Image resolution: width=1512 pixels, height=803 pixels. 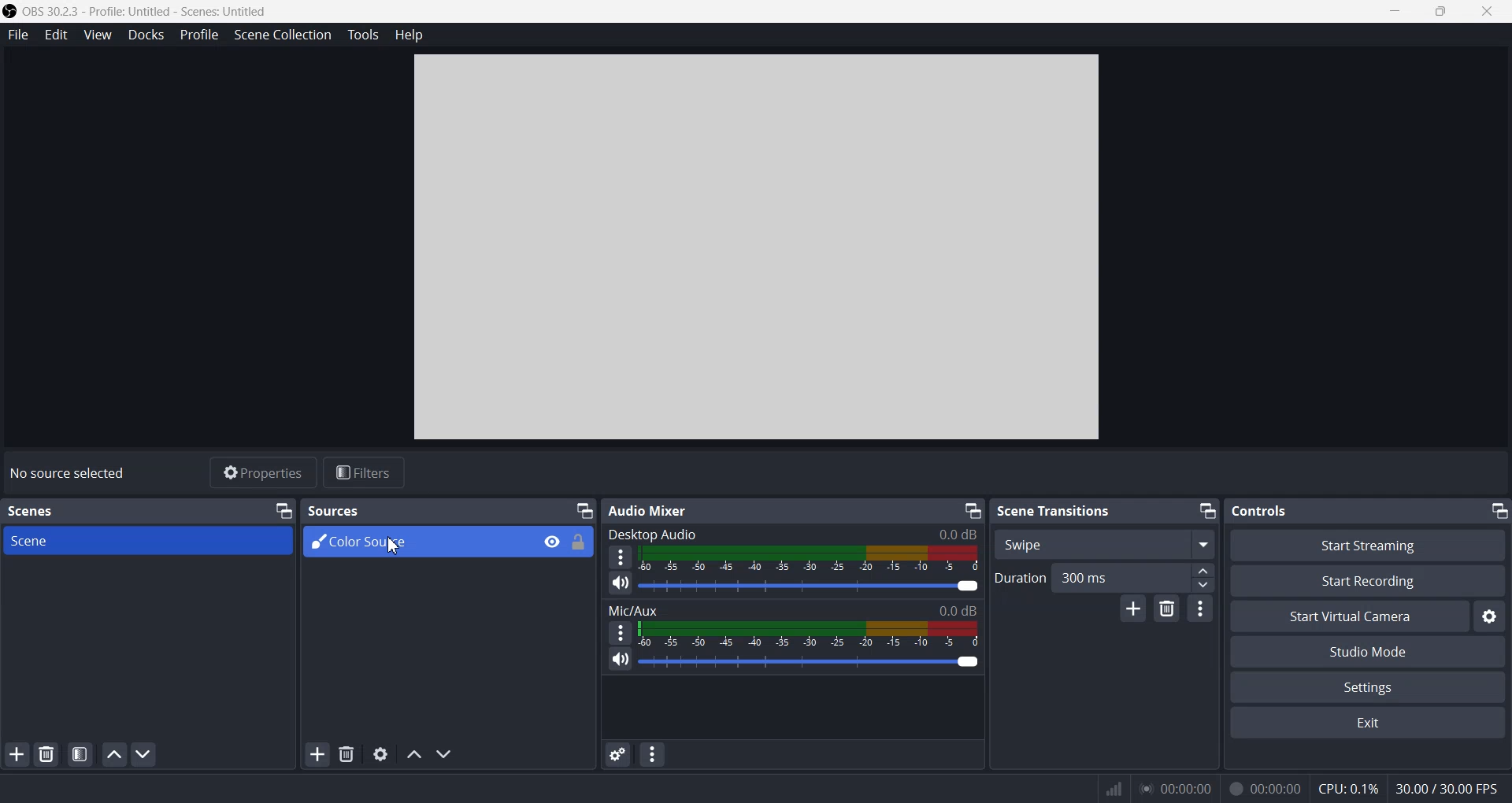 What do you see at coordinates (79, 754) in the screenshot?
I see `Open Scene Filters` at bounding box center [79, 754].